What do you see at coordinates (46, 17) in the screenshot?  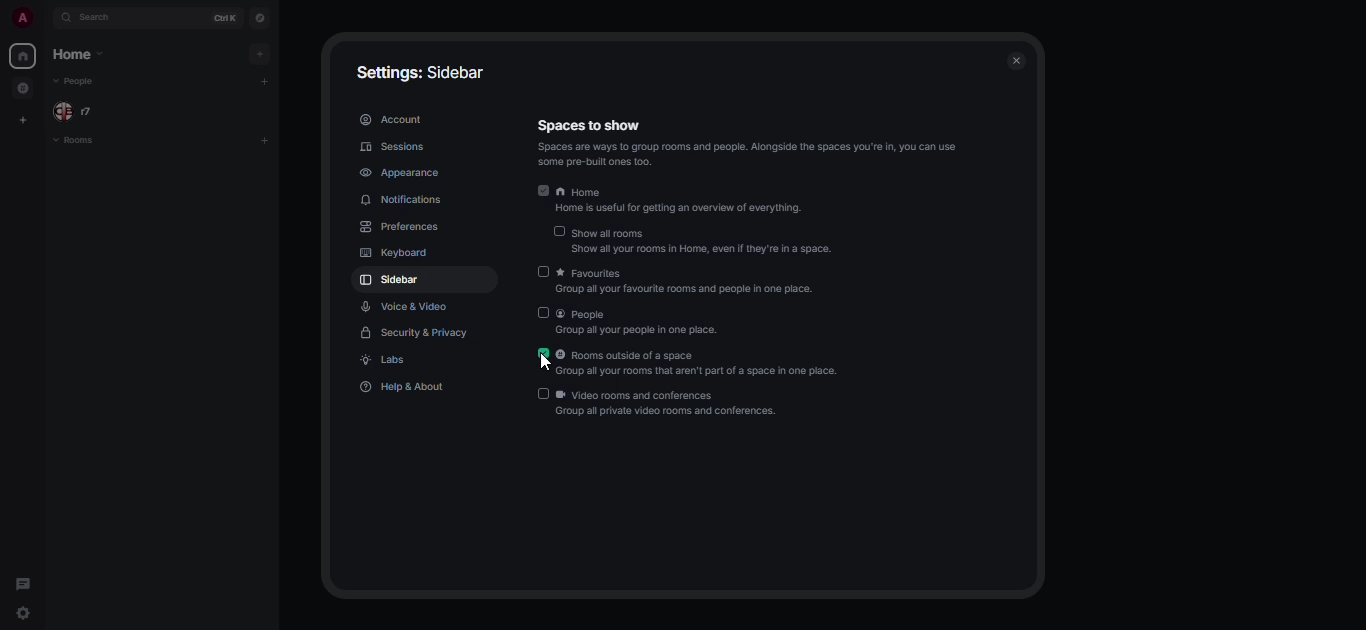 I see `expand` at bounding box center [46, 17].